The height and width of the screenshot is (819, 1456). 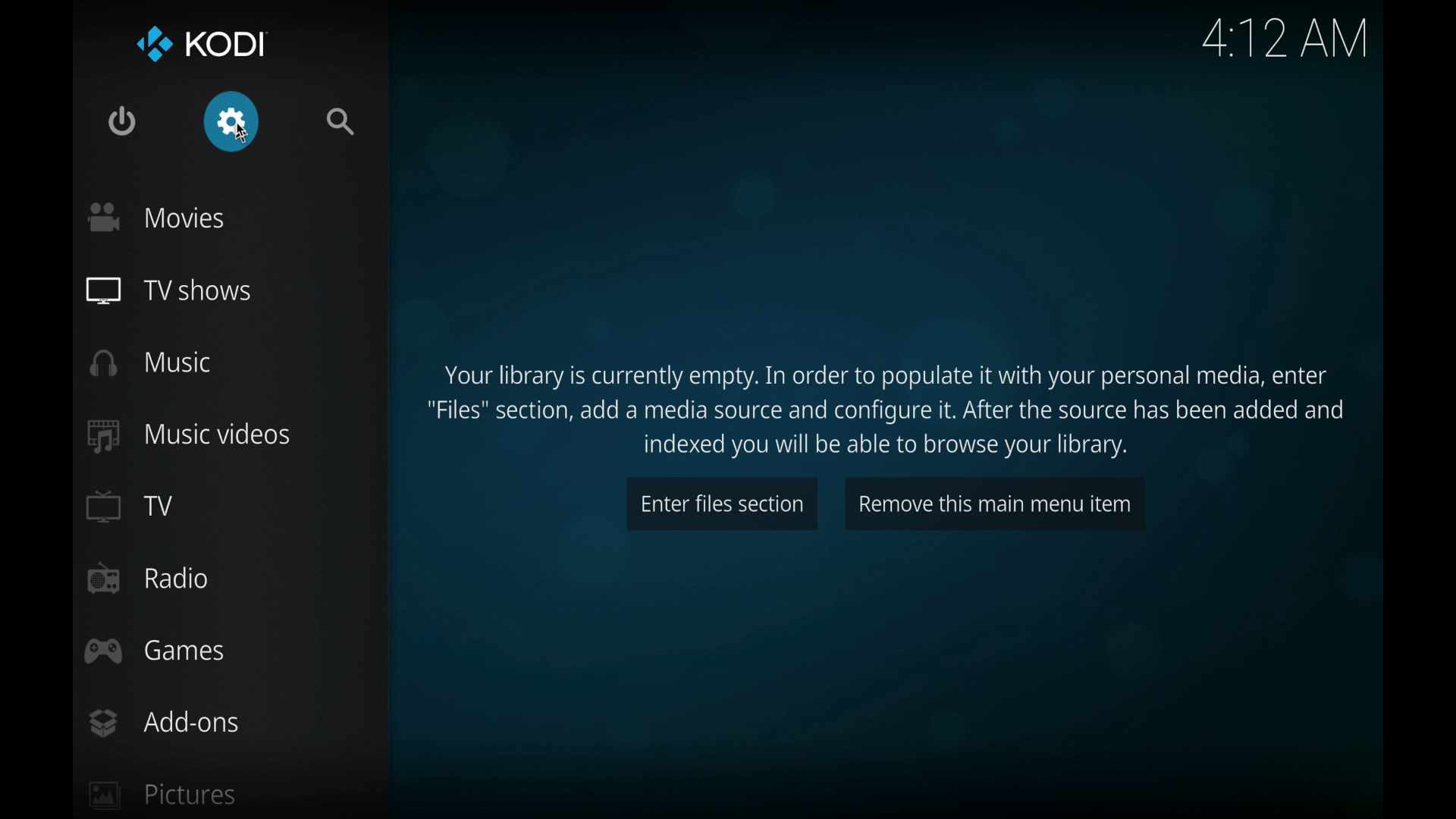 What do you see at coordinates (122, 121) in the screenshot?
I see `quit kodi` at bounding box center [122, 121].